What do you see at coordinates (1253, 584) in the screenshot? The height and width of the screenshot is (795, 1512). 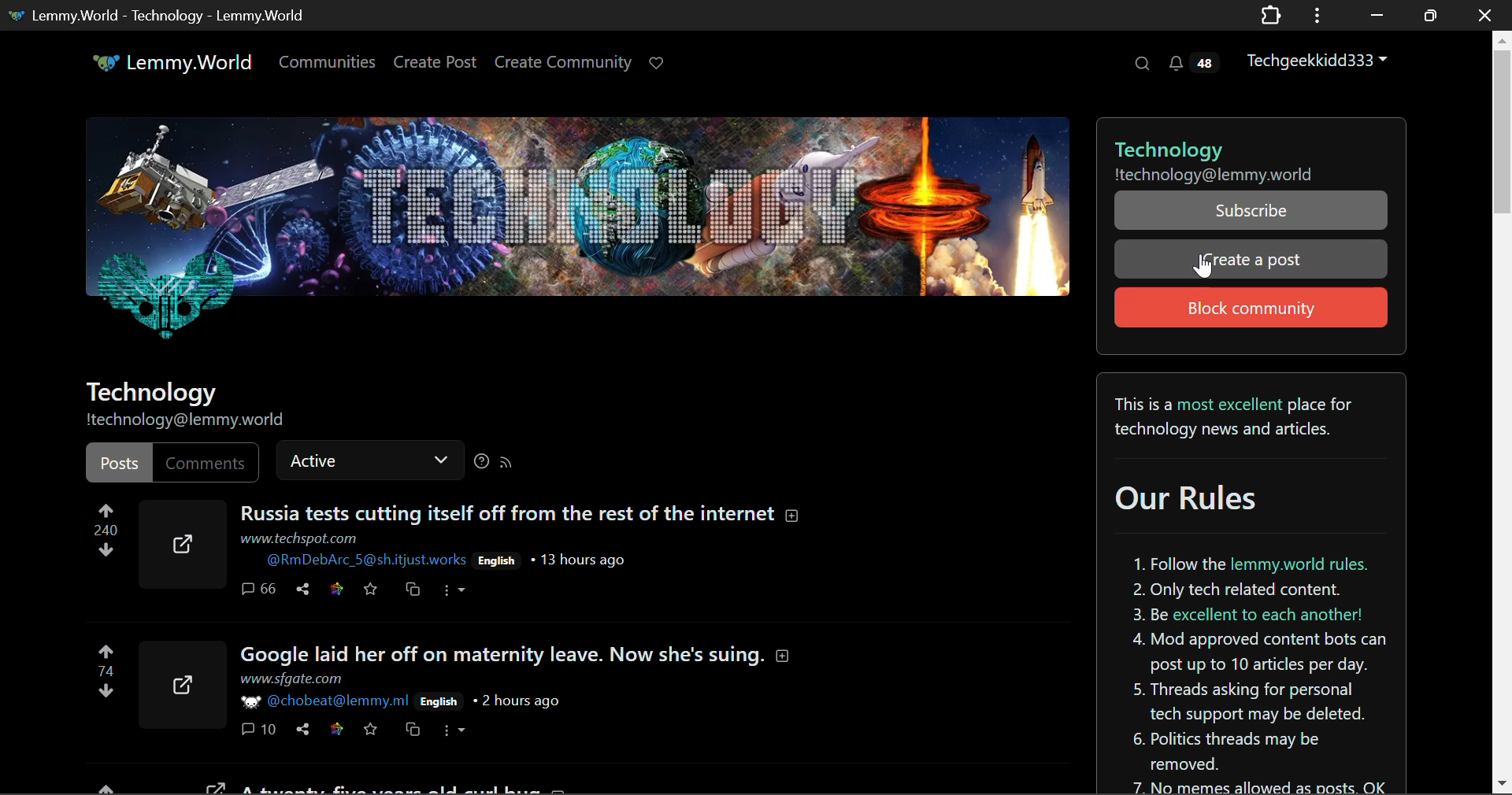 I see `Community Rules` at bounding box center [1253, 584].